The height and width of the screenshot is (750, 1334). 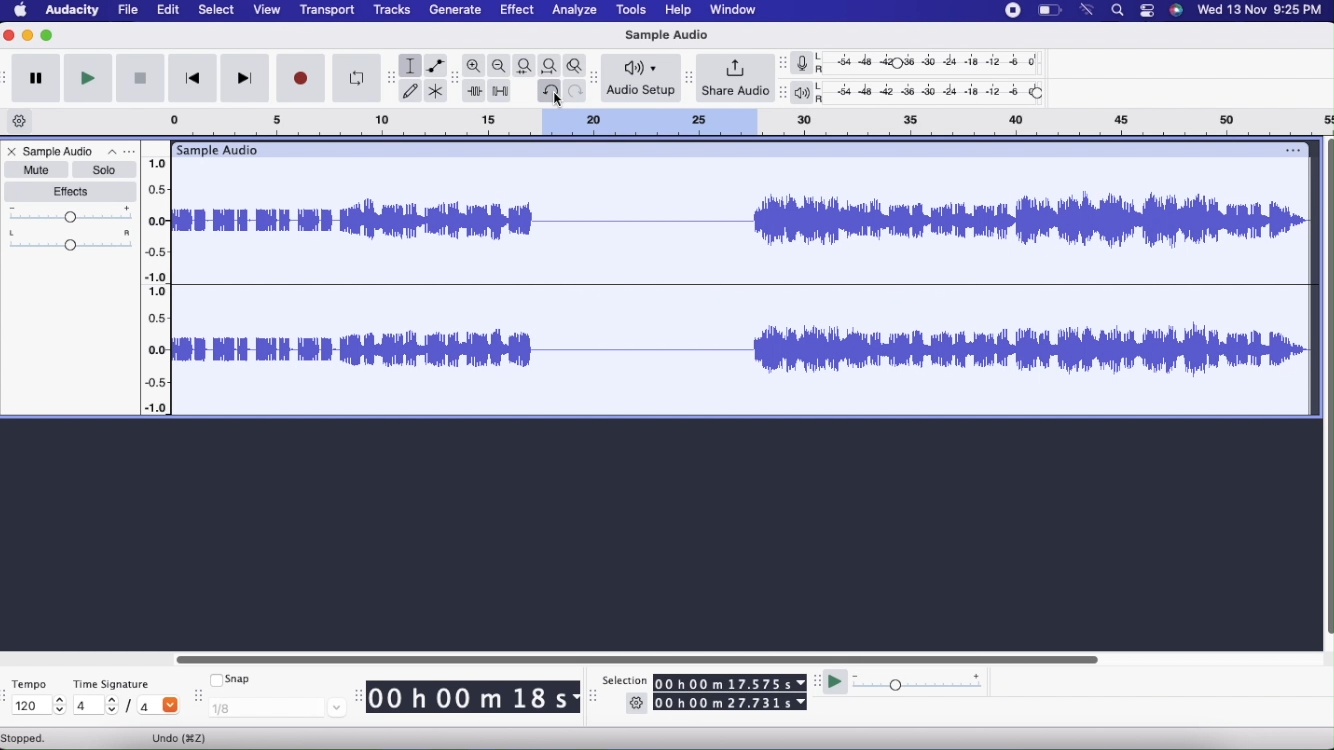 What do you see at coordinates (548, 91) in the screenshot?
I see `Undo` at bounding box center [548, 91].